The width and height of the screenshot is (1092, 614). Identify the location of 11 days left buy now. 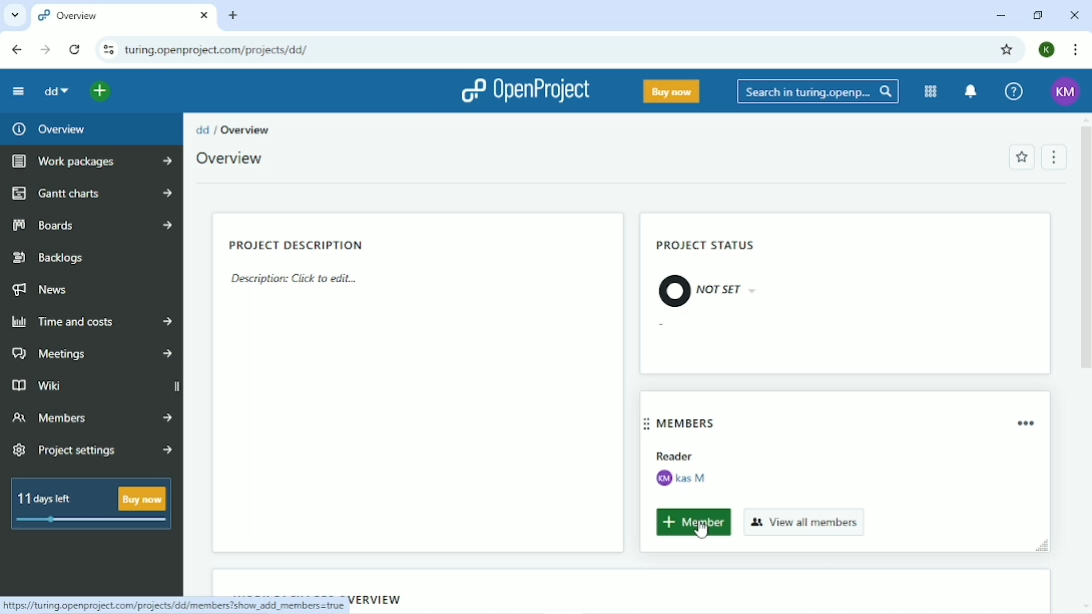
(89, 506).